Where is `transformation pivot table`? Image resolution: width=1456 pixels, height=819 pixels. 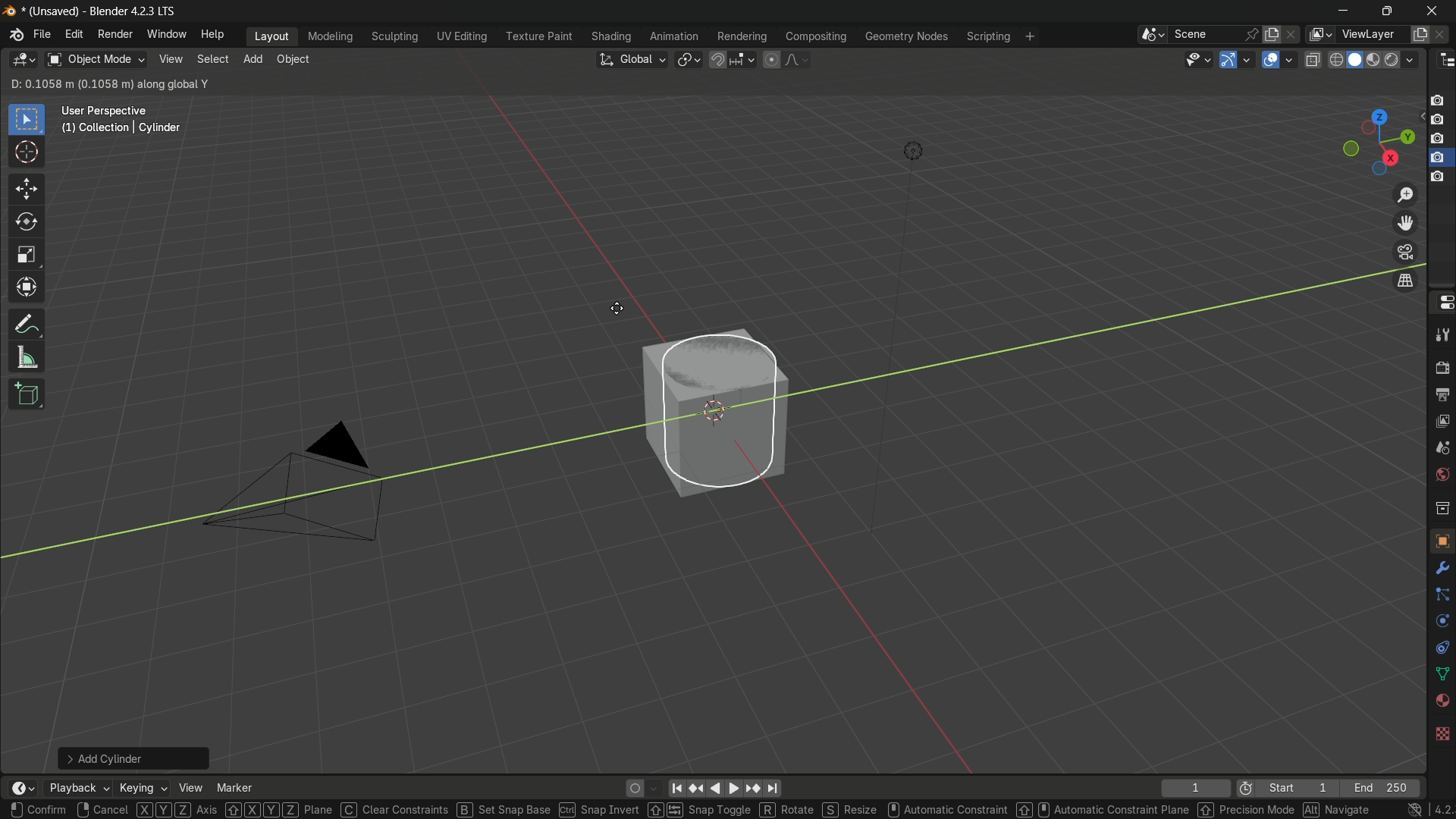 transformation pivot table is located at coordinates (690, 59).